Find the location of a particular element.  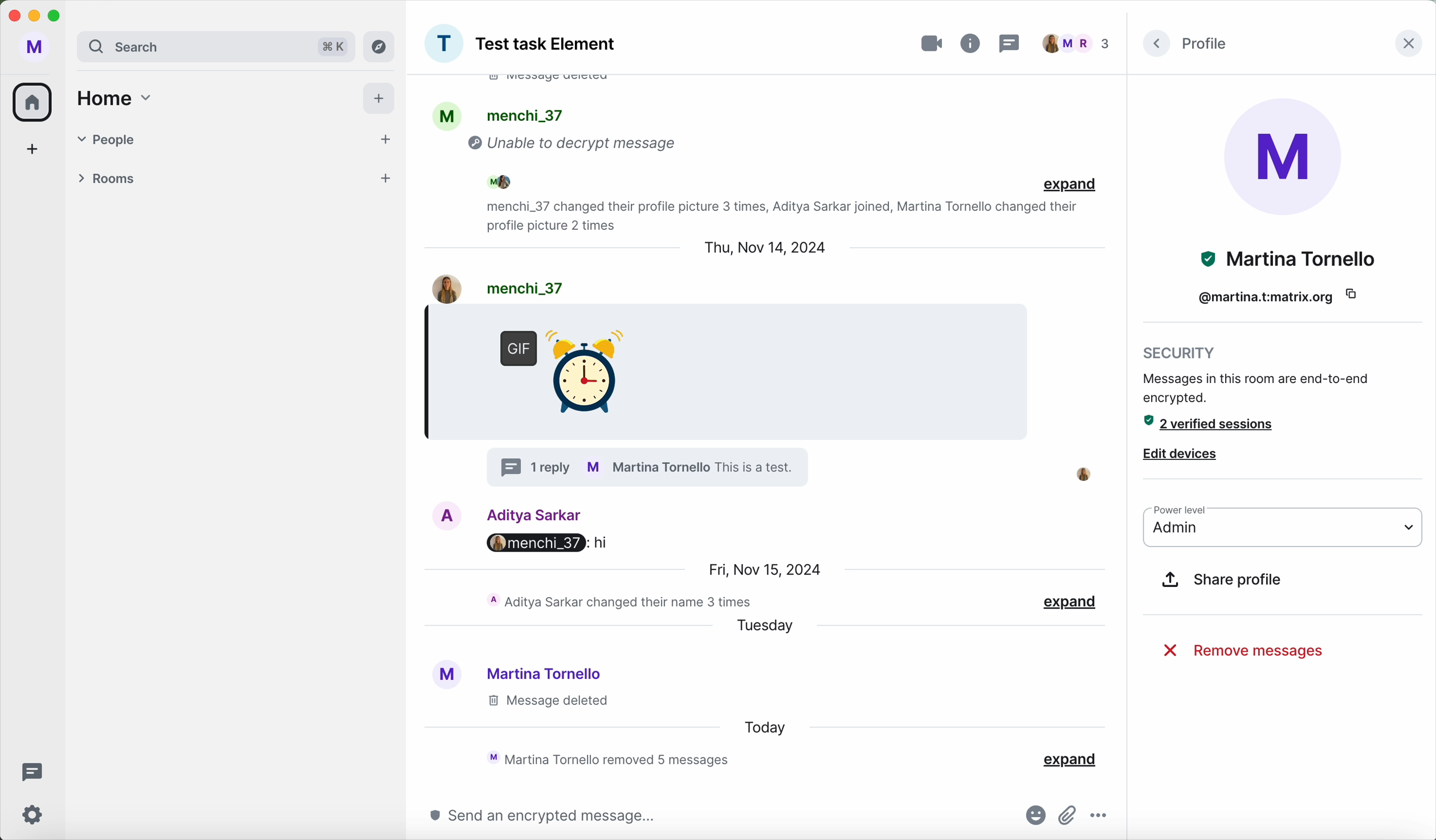

edit devices is located at coordinates (1182, 452).